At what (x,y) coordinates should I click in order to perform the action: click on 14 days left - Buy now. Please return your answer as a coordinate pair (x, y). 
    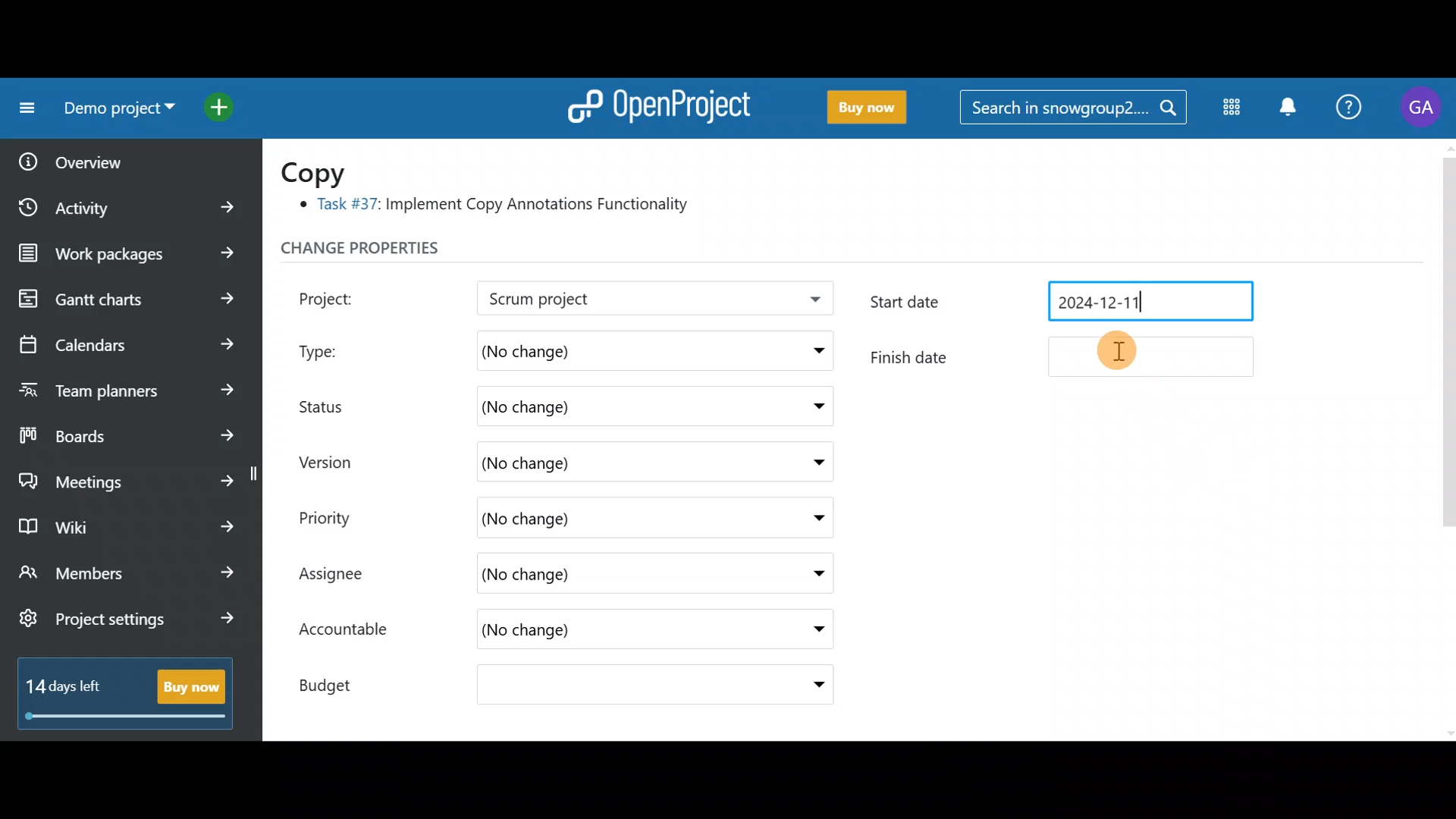
    Looking at the image, I should click on (118, 690).